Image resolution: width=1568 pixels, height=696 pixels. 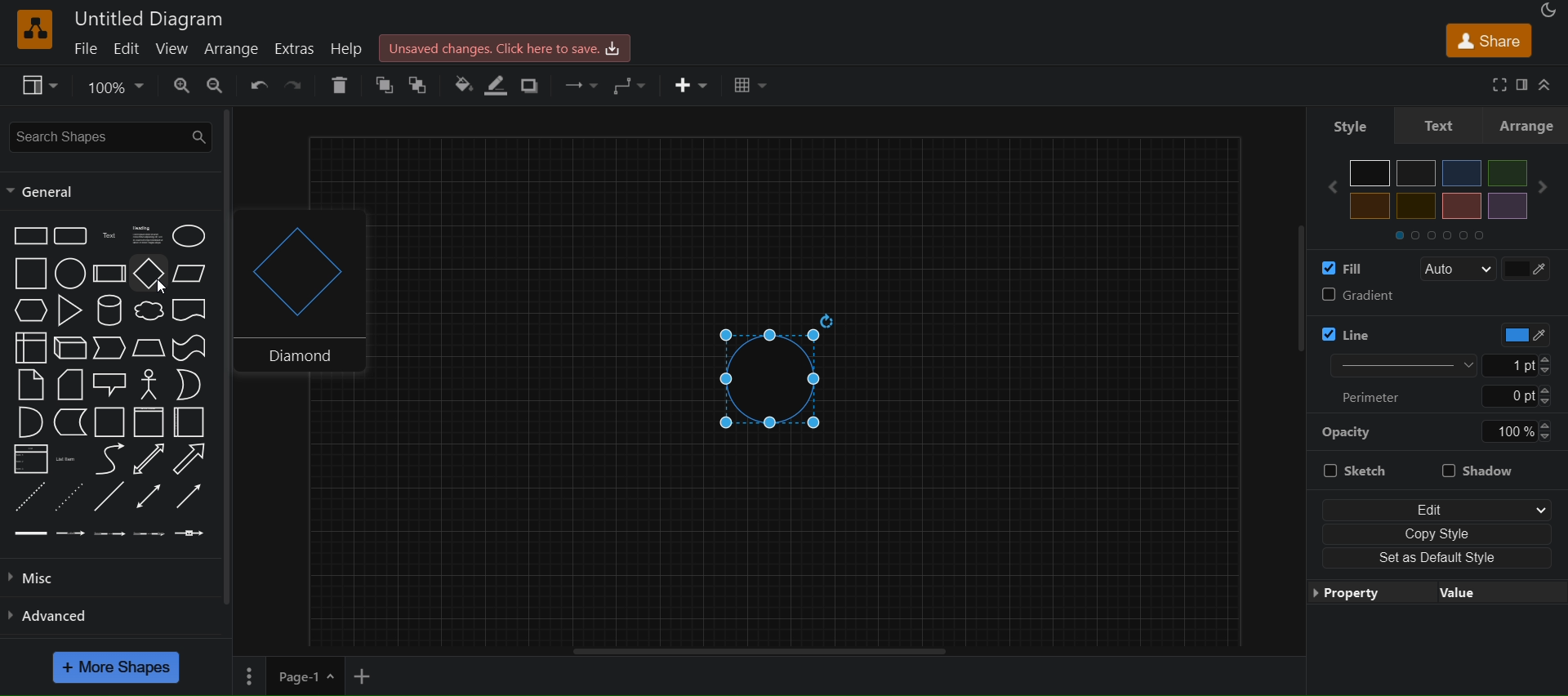 What do you see at coordinates (193, 497) in the screenshot?
I see `directional connector` at bounding box center [193, 497].